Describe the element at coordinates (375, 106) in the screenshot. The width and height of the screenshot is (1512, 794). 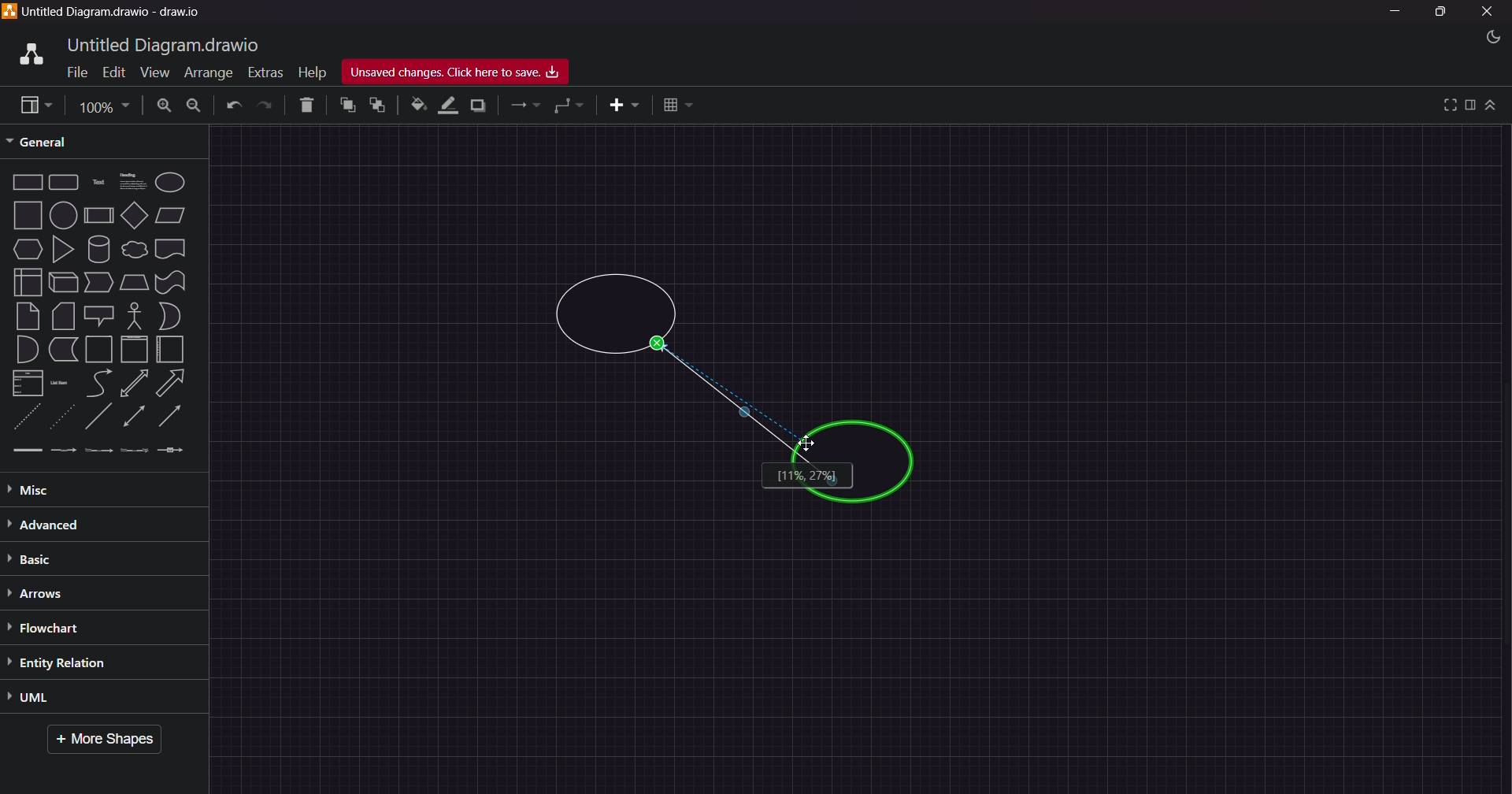
I see `to back` at that location.